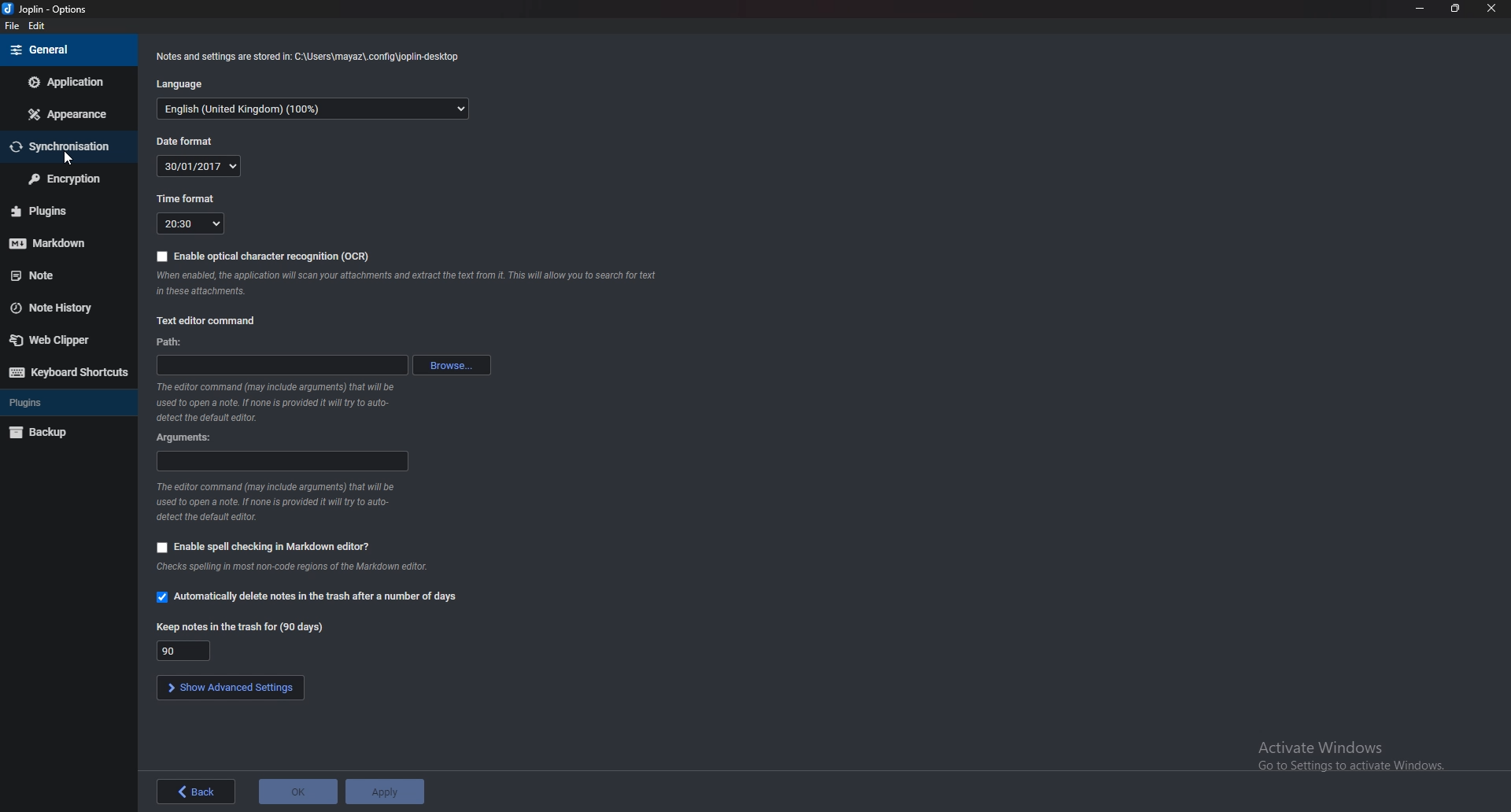 This screenshot has width=1511, height=812. What do you see at coordinates (201, 166) in the screenshot?
I see `date` at bounding box center [201, 166].